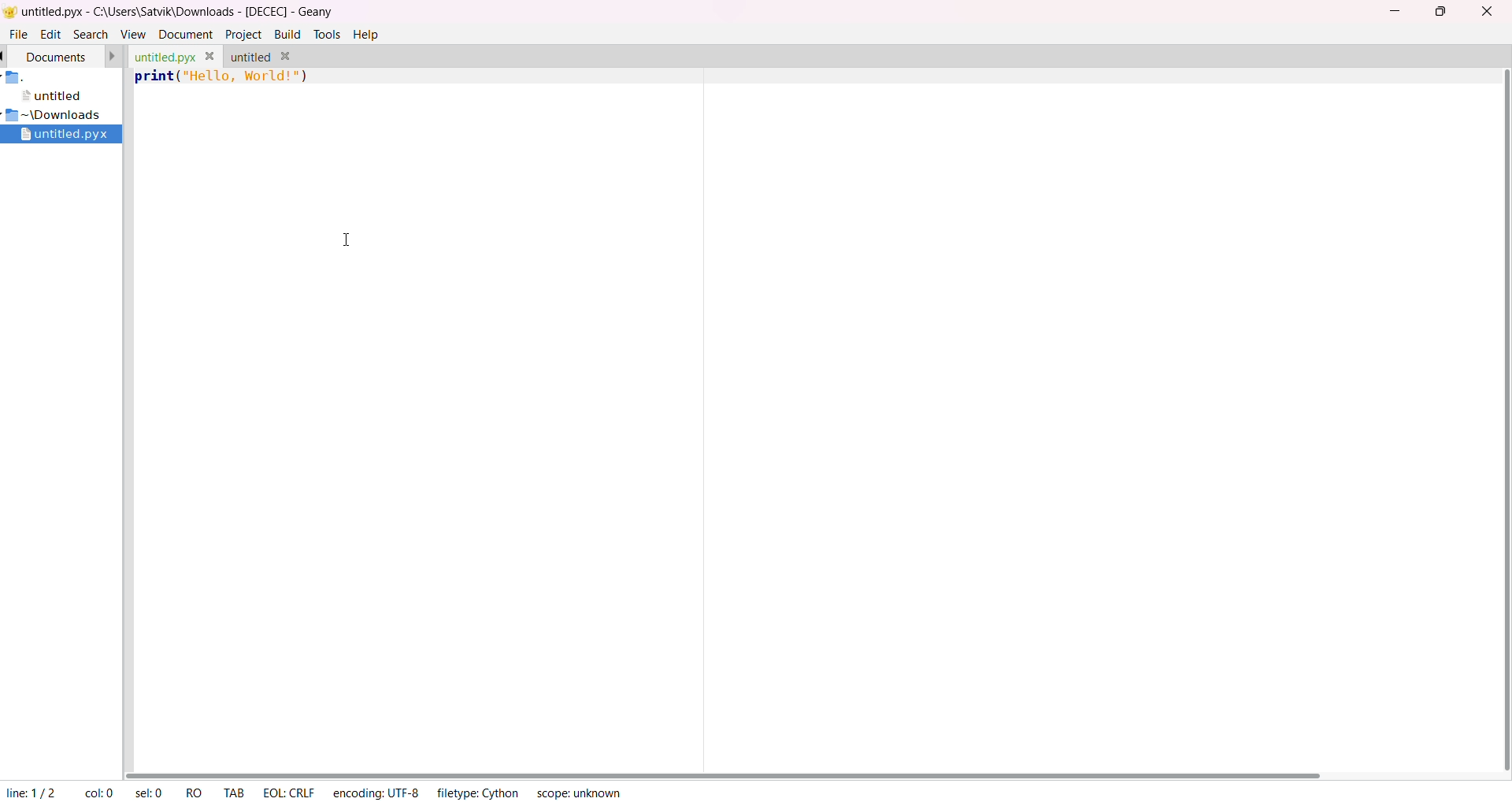 The image size is (1512, 802). What do you see at coordinates (57, 95) in the screenshot?
I see `untitled` at bounding box center [57, 95].